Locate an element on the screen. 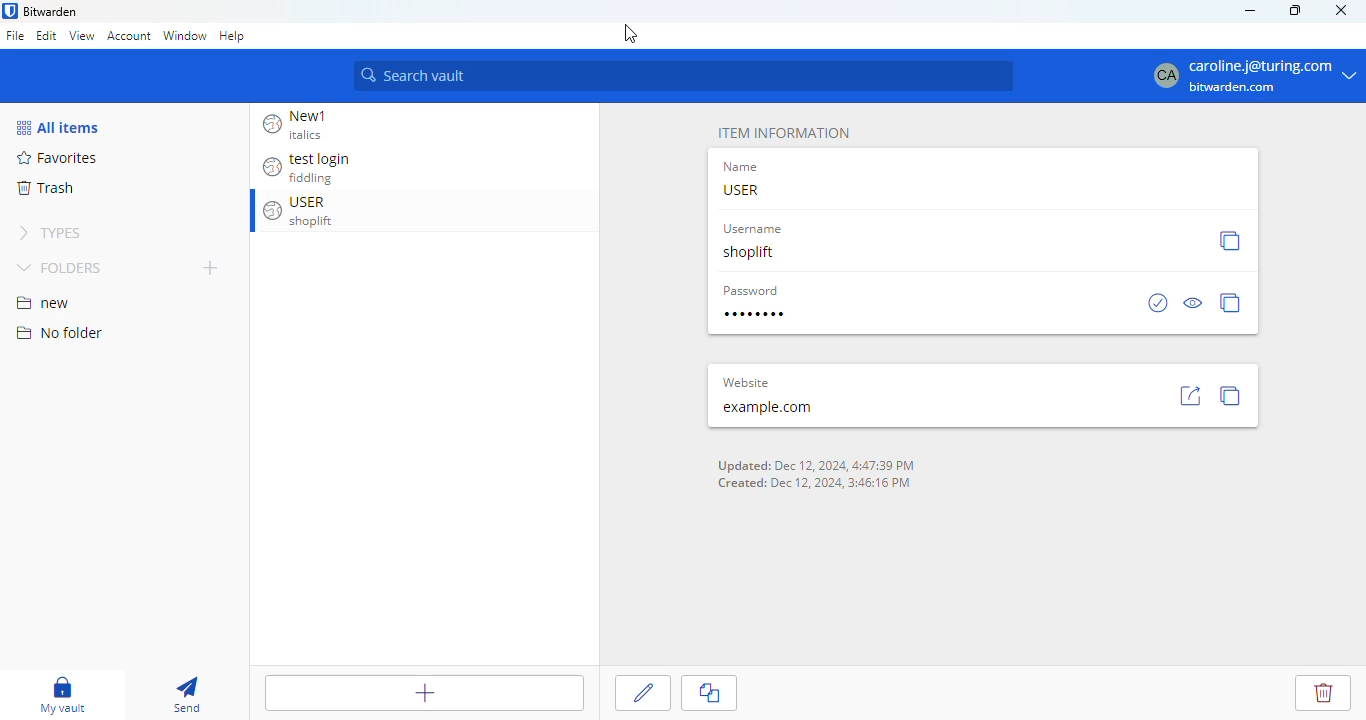 This screenshot has width=1366, height=720. test login   fiddling is located at coordinates (306, 168).